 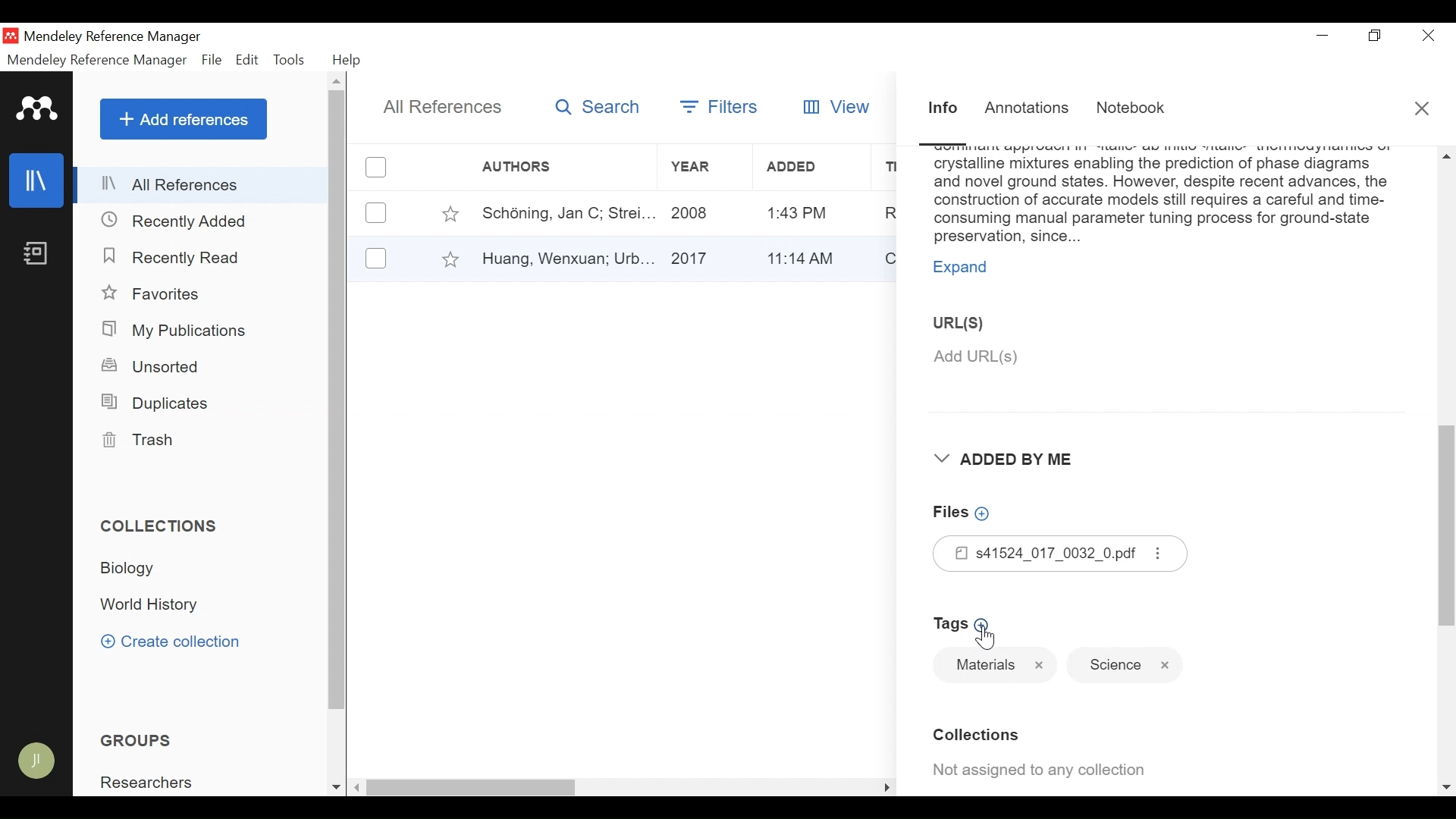 I want to click on Mendeley Reference Manager, so click(x=97, y=62).